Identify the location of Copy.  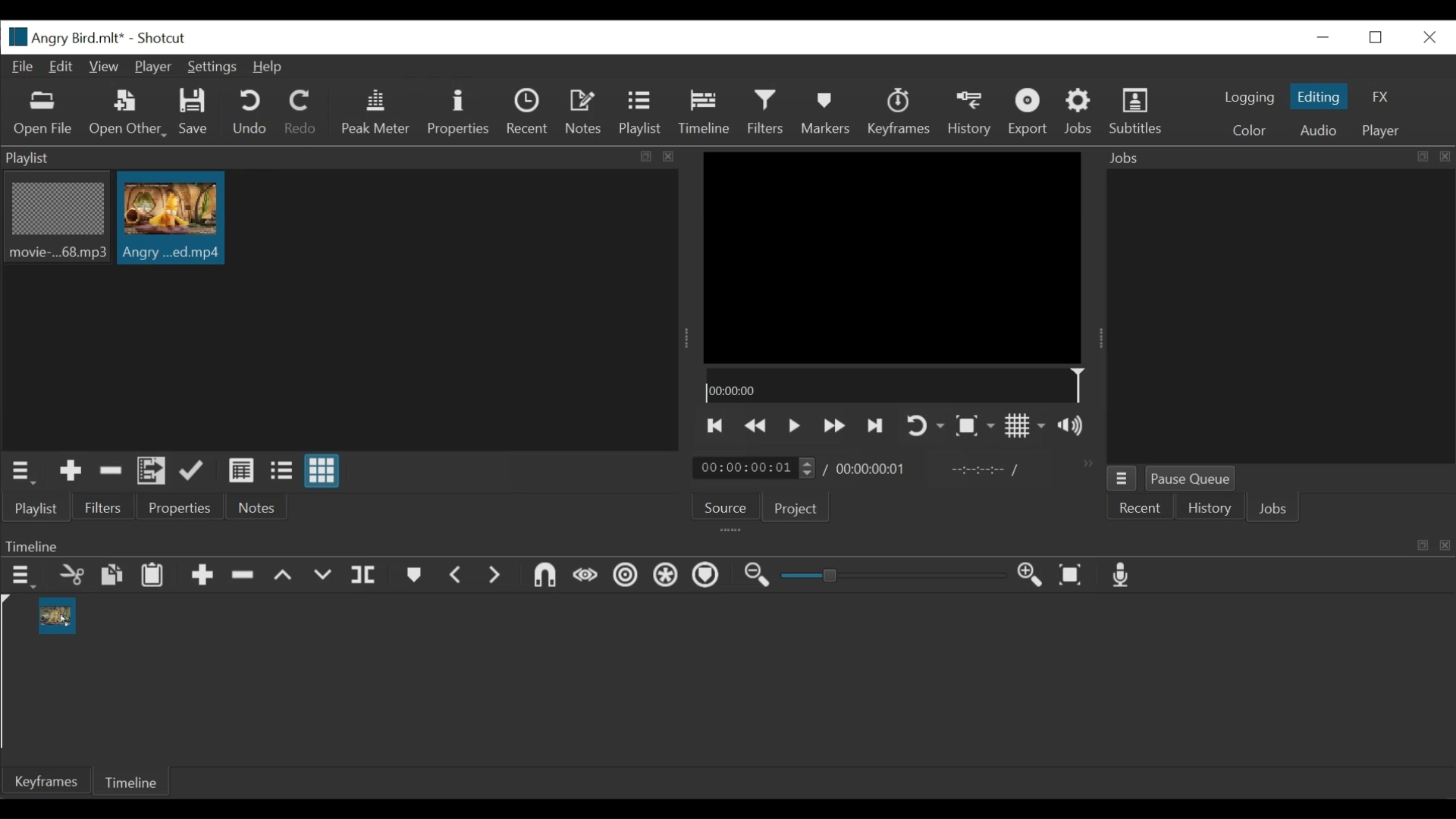
(113, 577).